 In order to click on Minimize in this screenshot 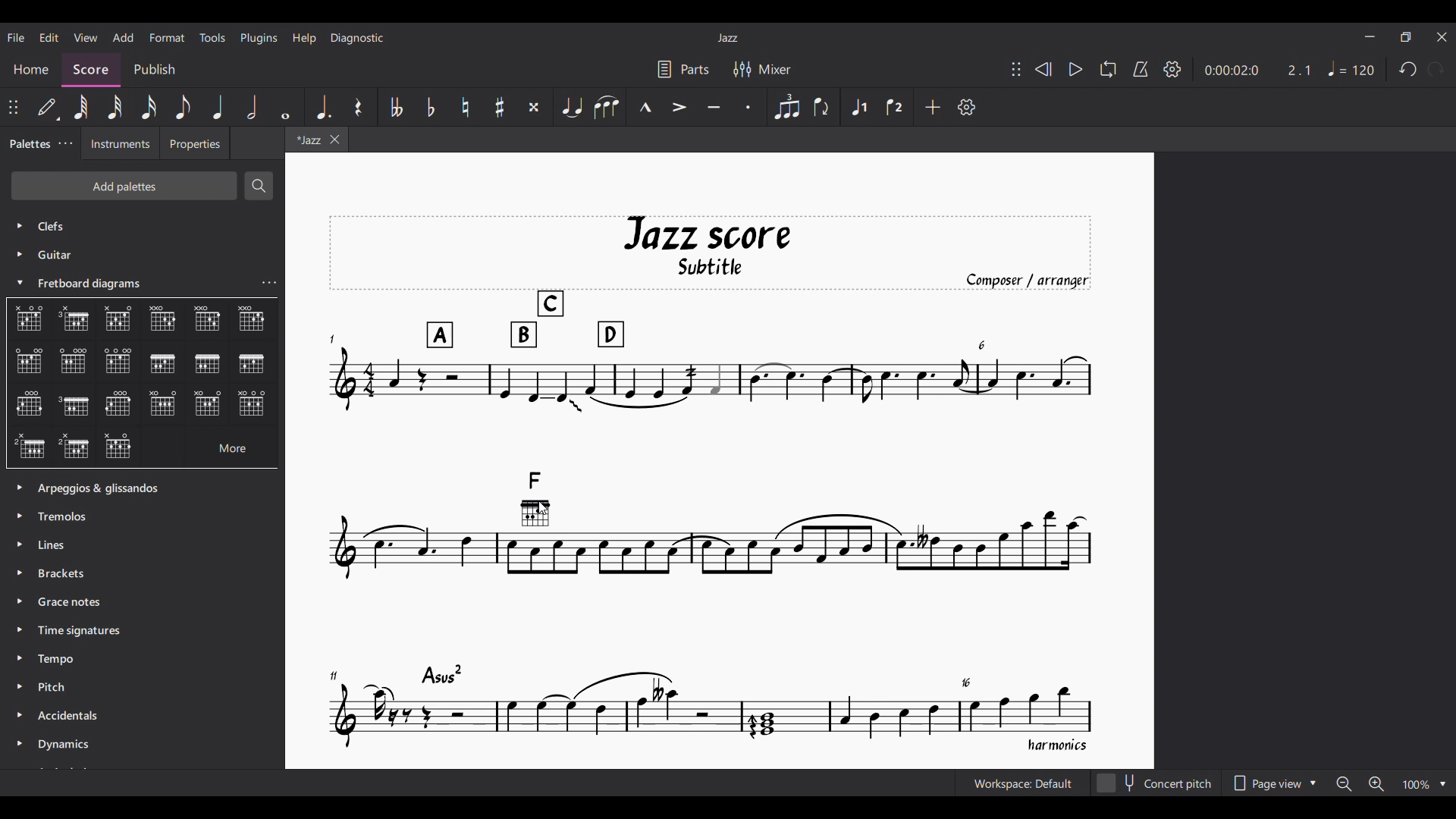, I will do `click(1370, 36)`.